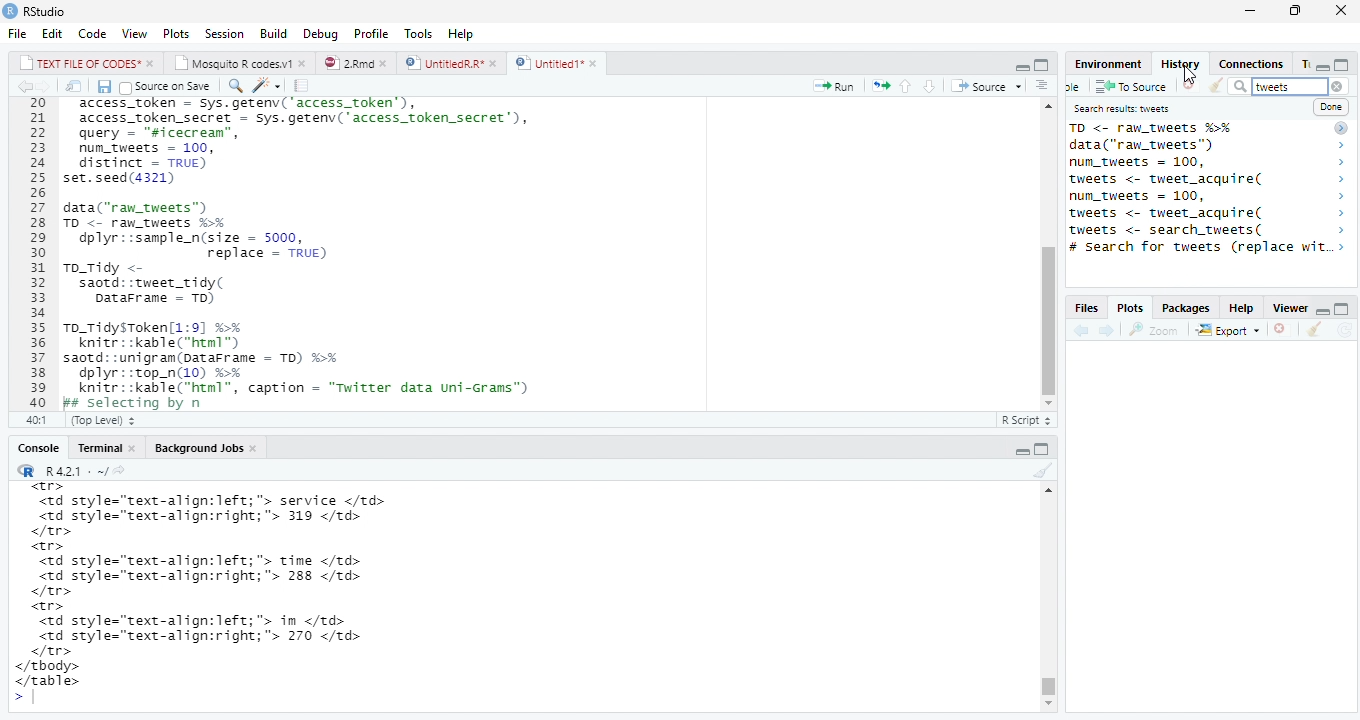  What do you see at coordinates (1050, 603) in the screenshot?
I see `Scrollbar` at bounding box center [1050, 603].